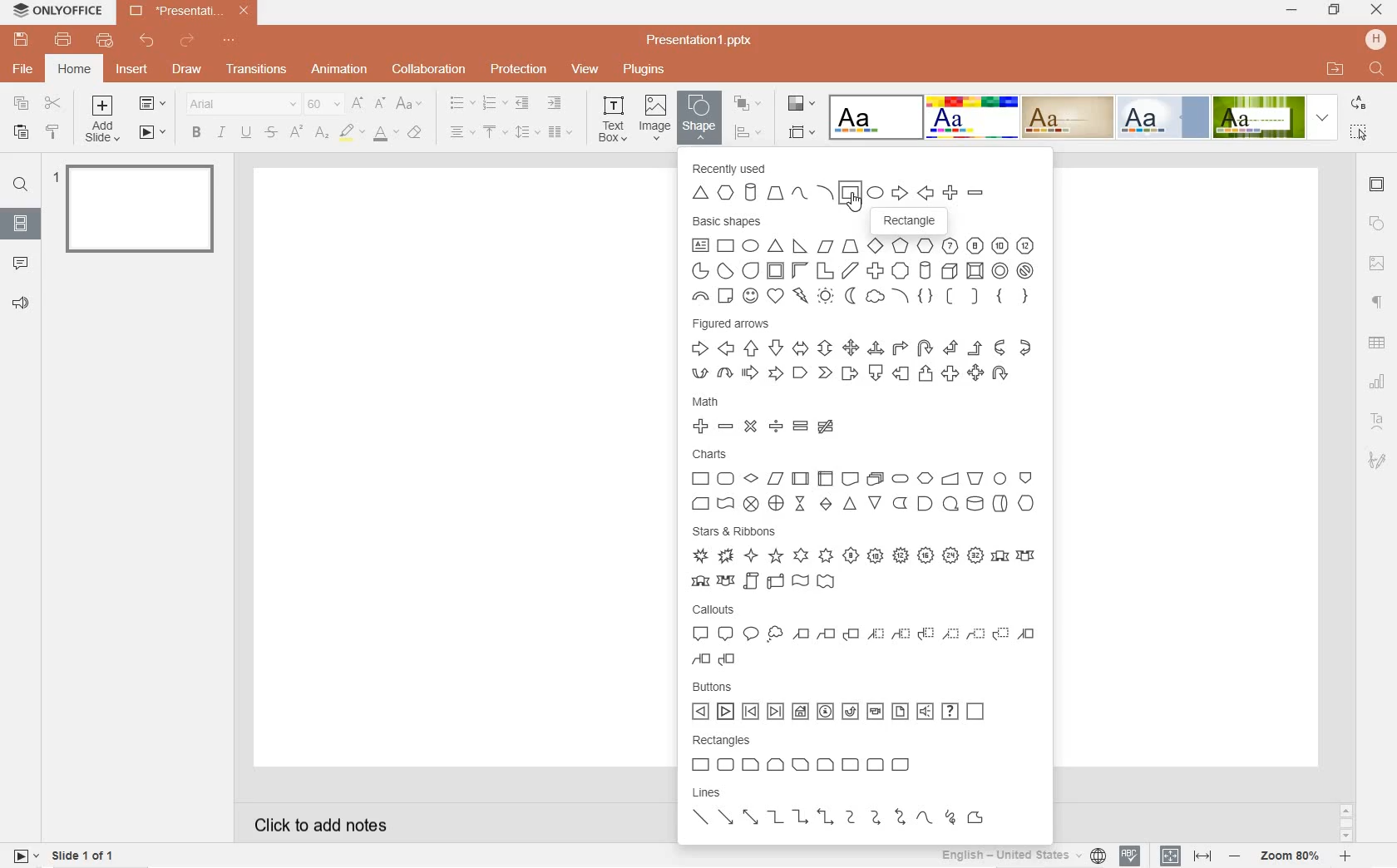 Image resolution: width=1397 pixels, height=868 pixels. Describe the element at coordinates (750, 479) in the screenshot. I see `Decision` at that location.